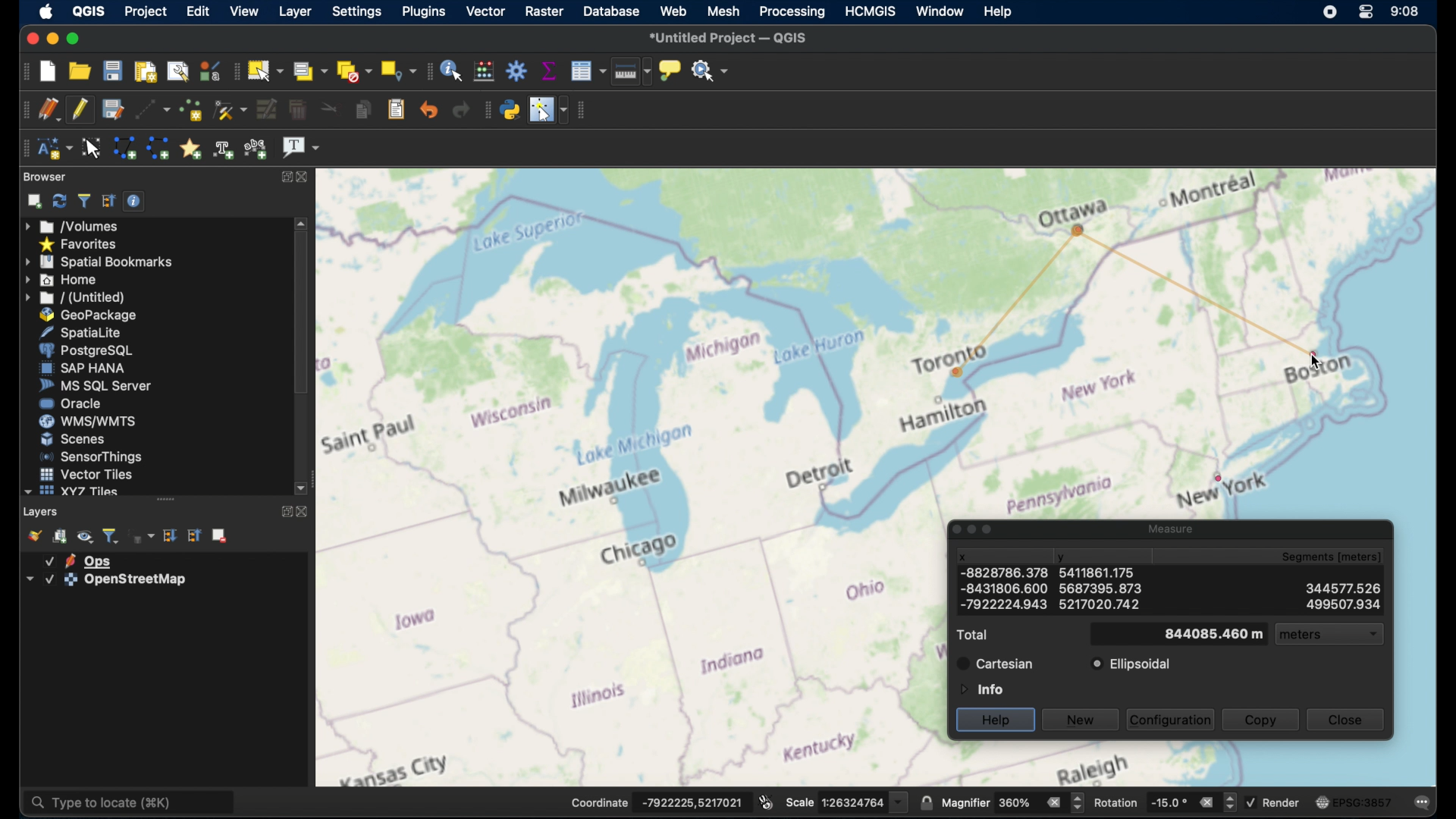 The width and height of the screenshot is (1456, 819). I want to click on manage map themes, so click(85, 536).